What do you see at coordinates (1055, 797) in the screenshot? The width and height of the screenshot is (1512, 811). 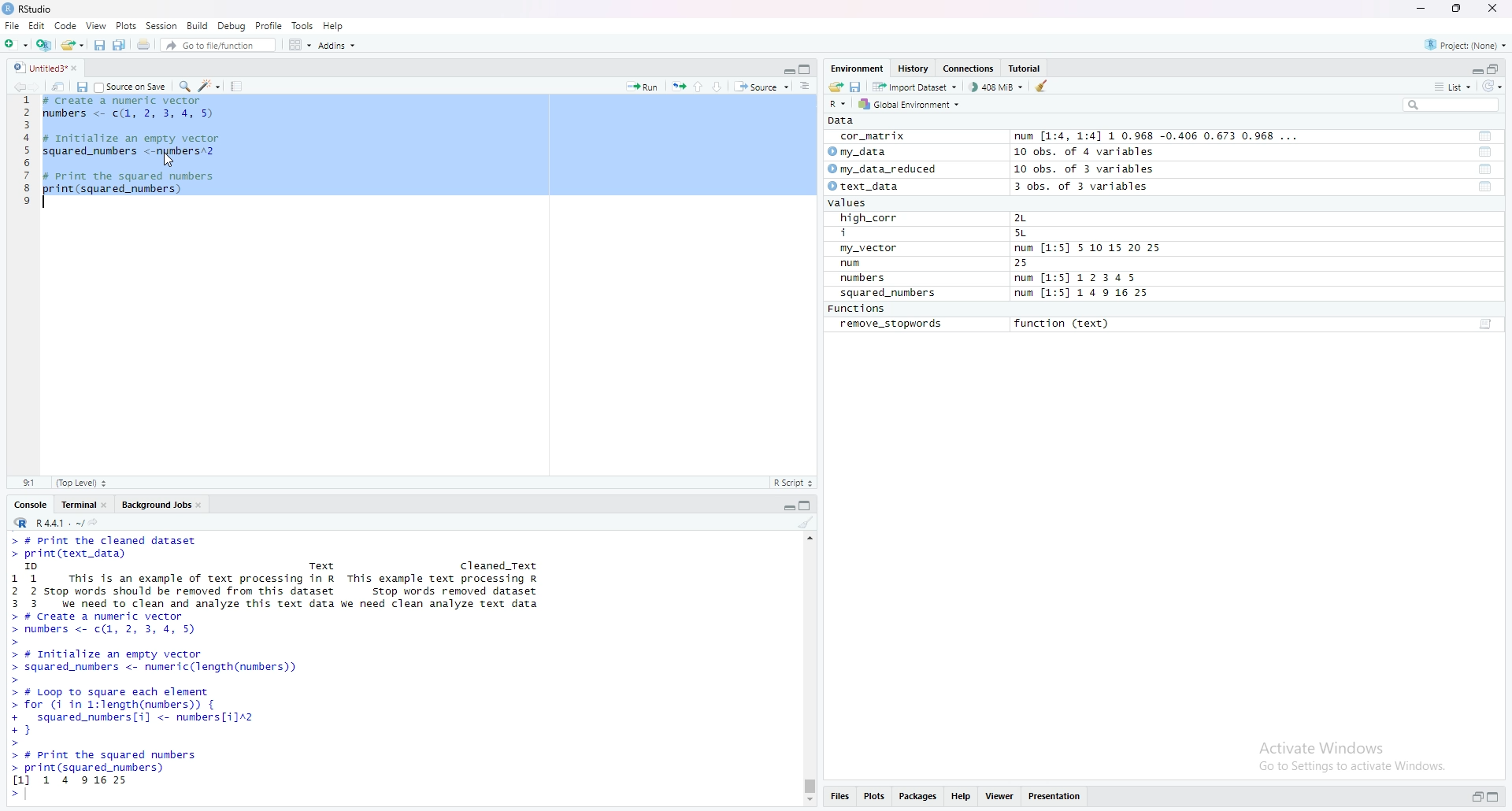 I see `Presentation` at bounding box center [1055, 797].